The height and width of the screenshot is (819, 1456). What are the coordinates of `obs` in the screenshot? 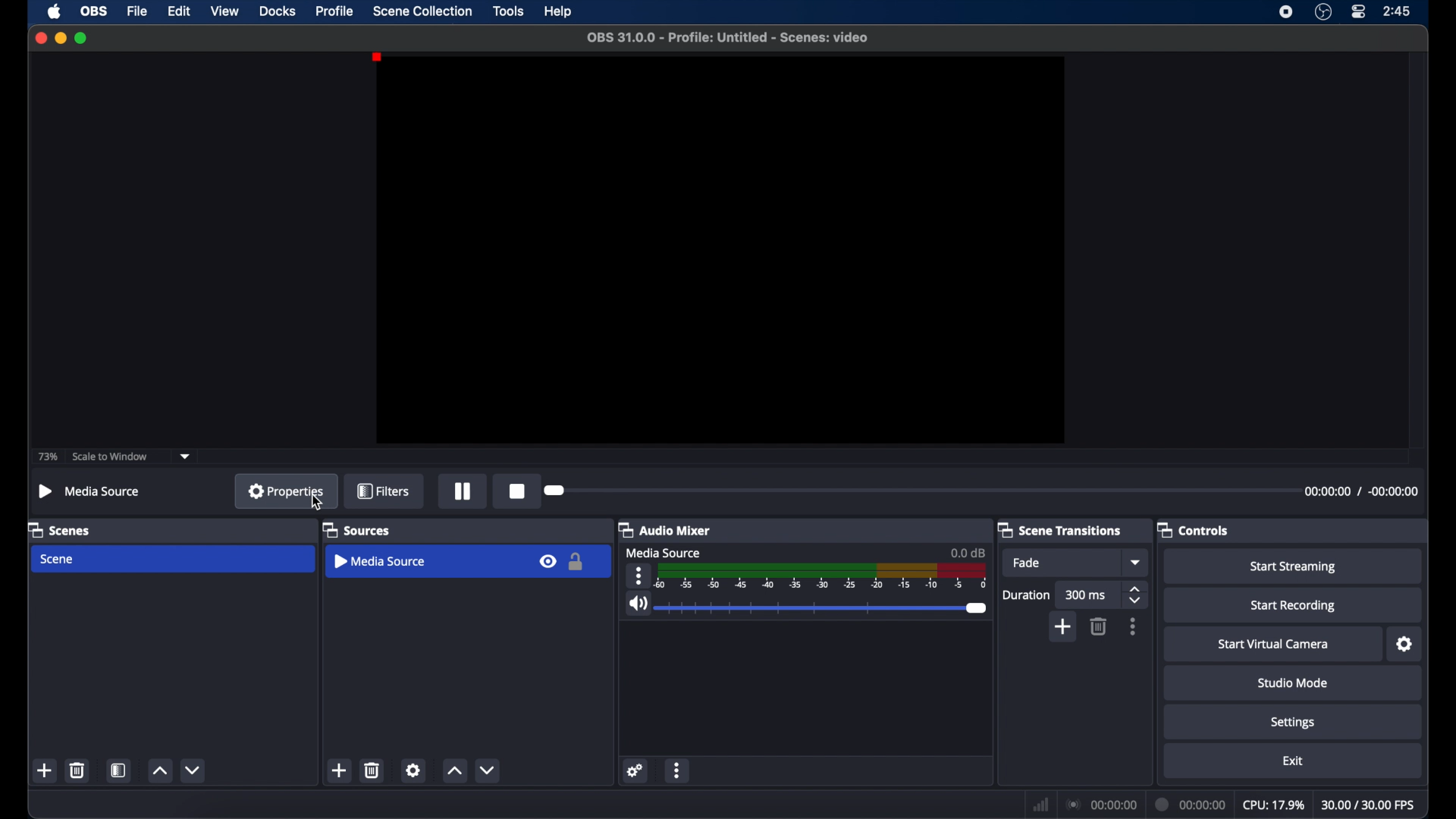 It's located at (94, 11).